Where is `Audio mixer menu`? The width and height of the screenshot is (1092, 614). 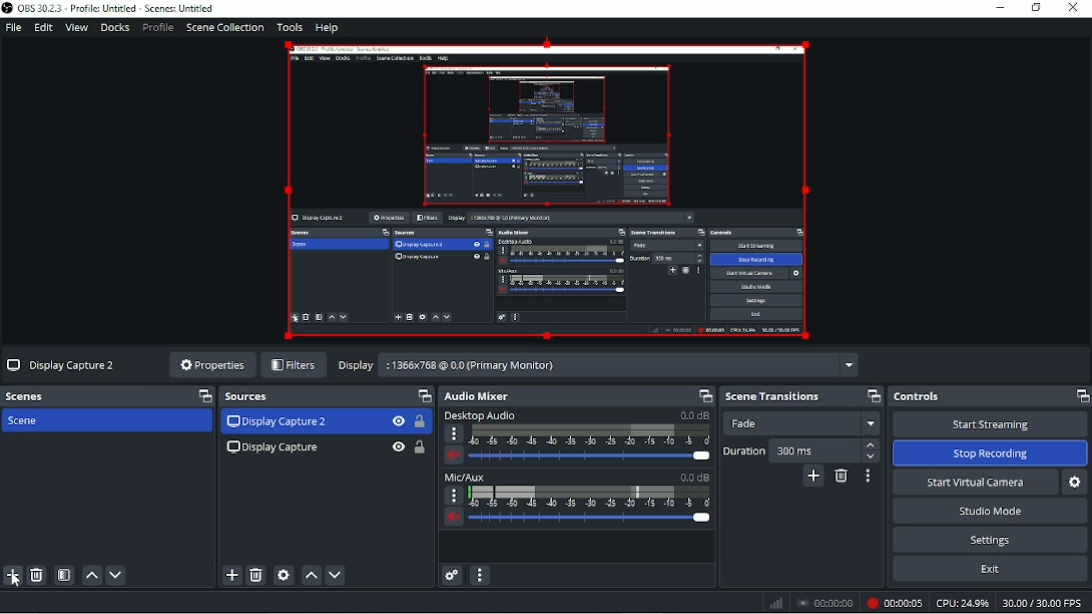
Audio mixer menu is located at coordinates (479, 577).